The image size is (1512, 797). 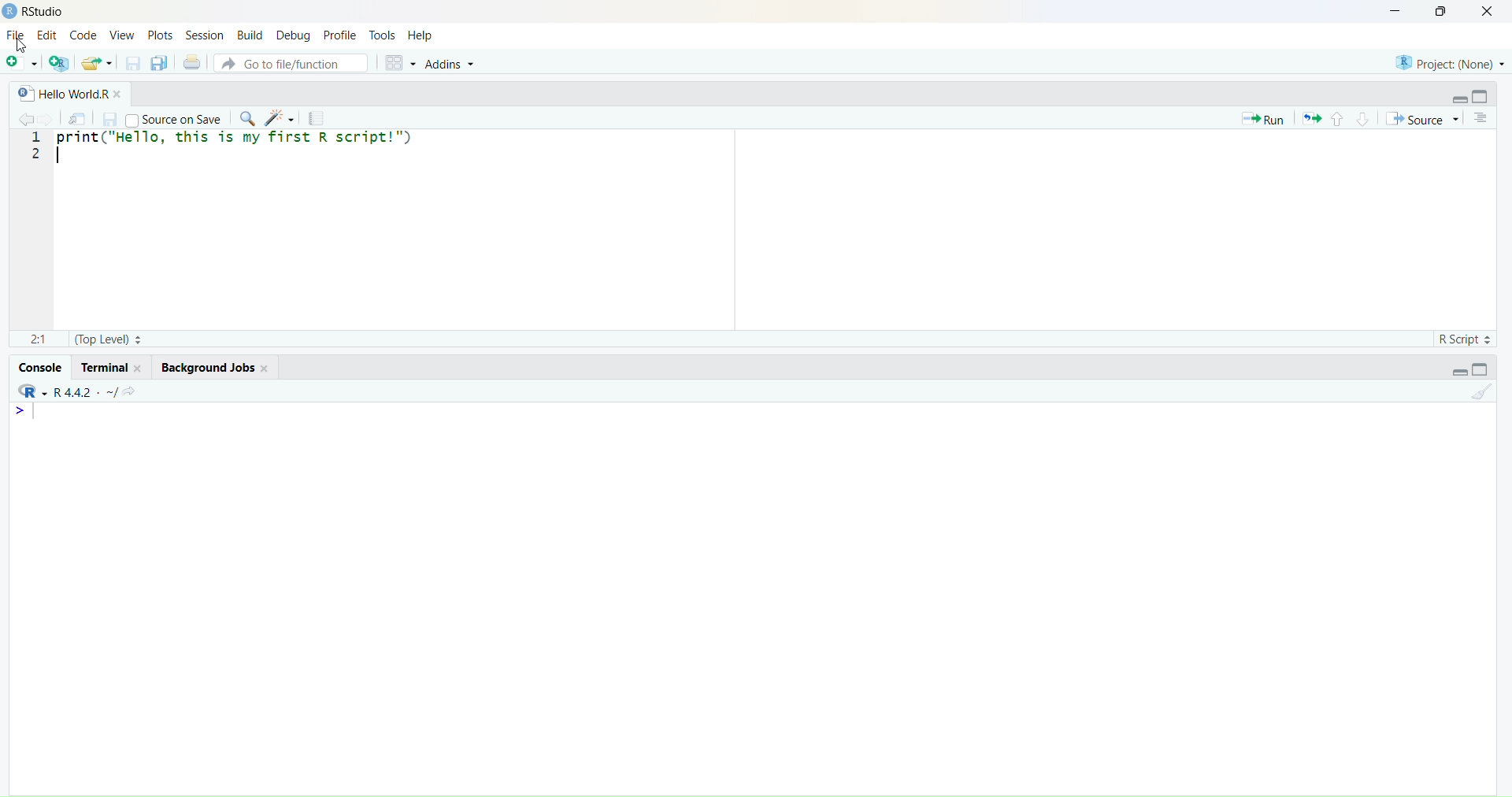 What do you see at coordinates (78, 118) in the screenshot?
I see `Show in new window` at bounding box center [78, 118].